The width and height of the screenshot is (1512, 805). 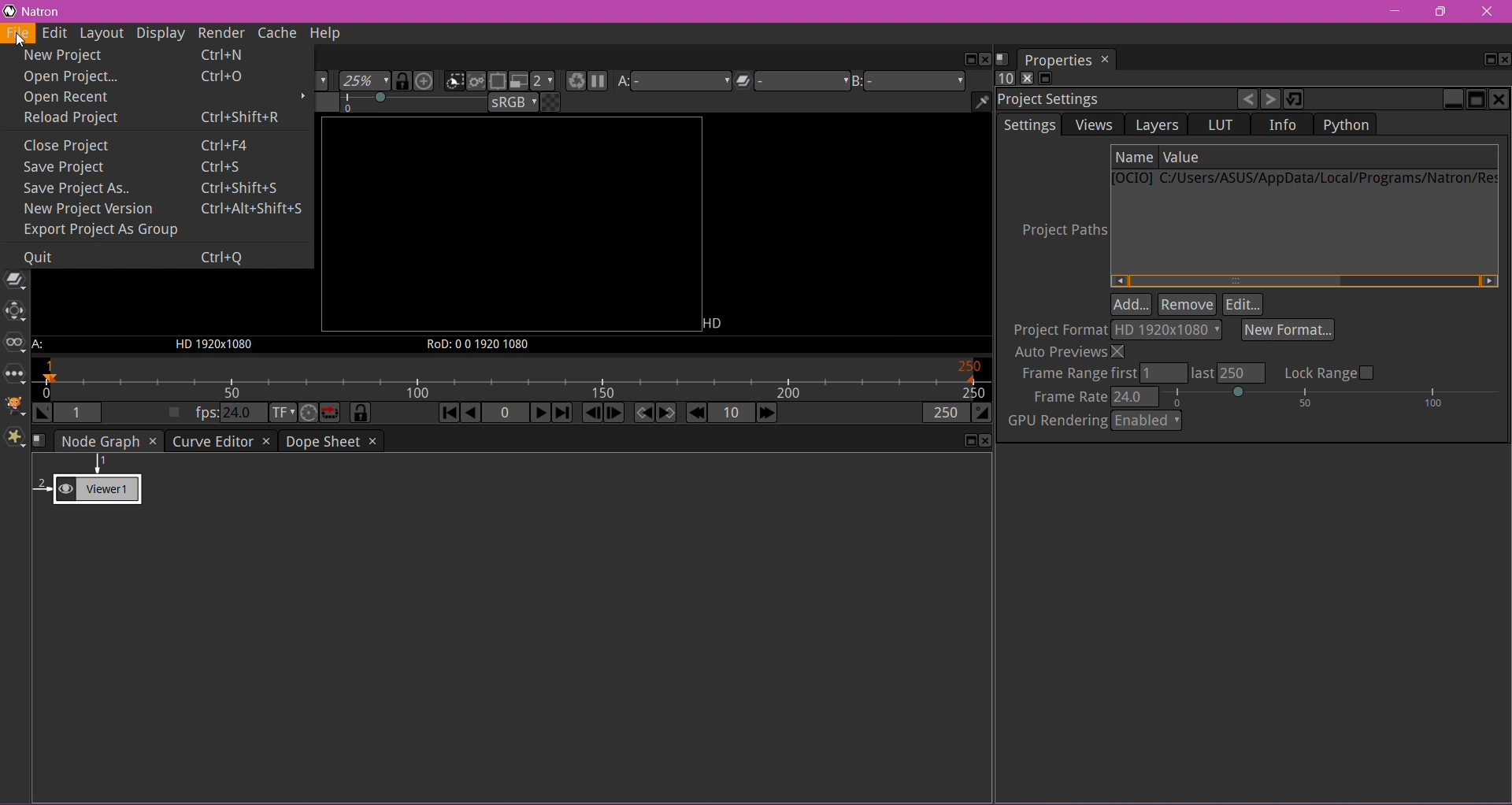 What do you see at coordinates (696, 414) in the screenshot?
I see `Previous Increment` at bounding box center [696, 414].